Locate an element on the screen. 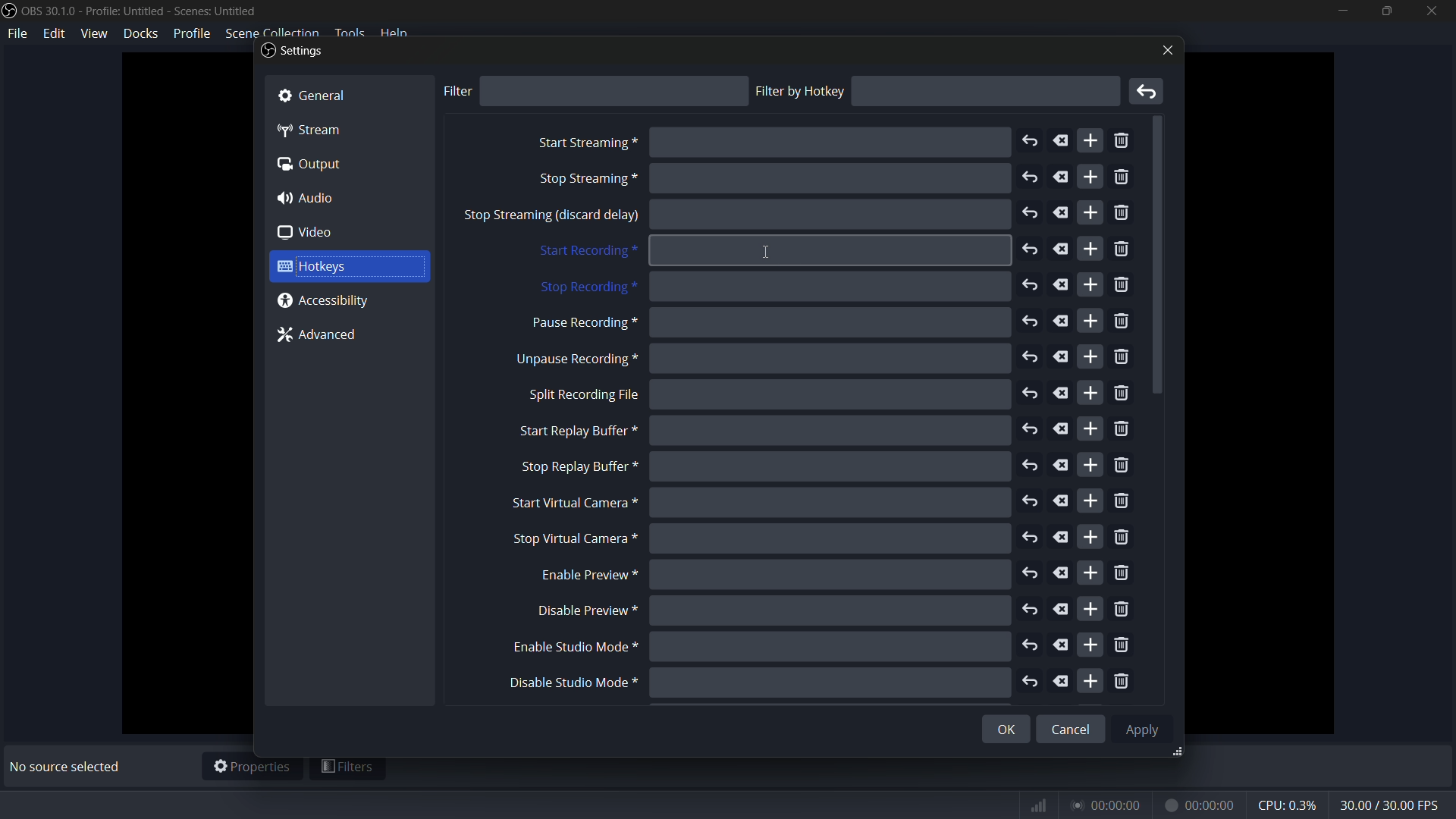 The height and width of the screenshot is (819, 1456). add more is located at coordinates (1091, 680).